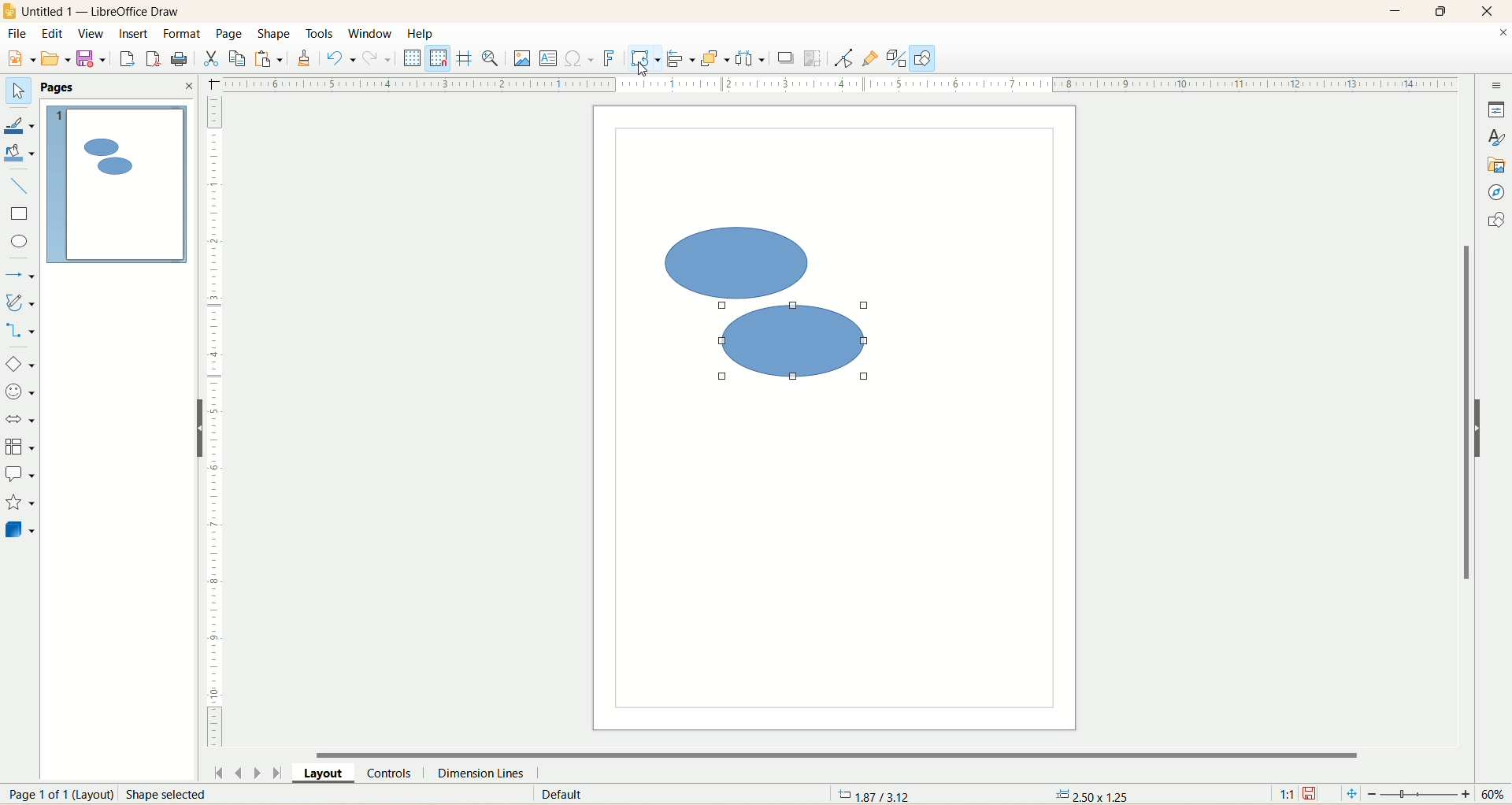 Image resolution: width=1512 pixels, height=805 pixels. I want to click on page number, so click(146, 794).